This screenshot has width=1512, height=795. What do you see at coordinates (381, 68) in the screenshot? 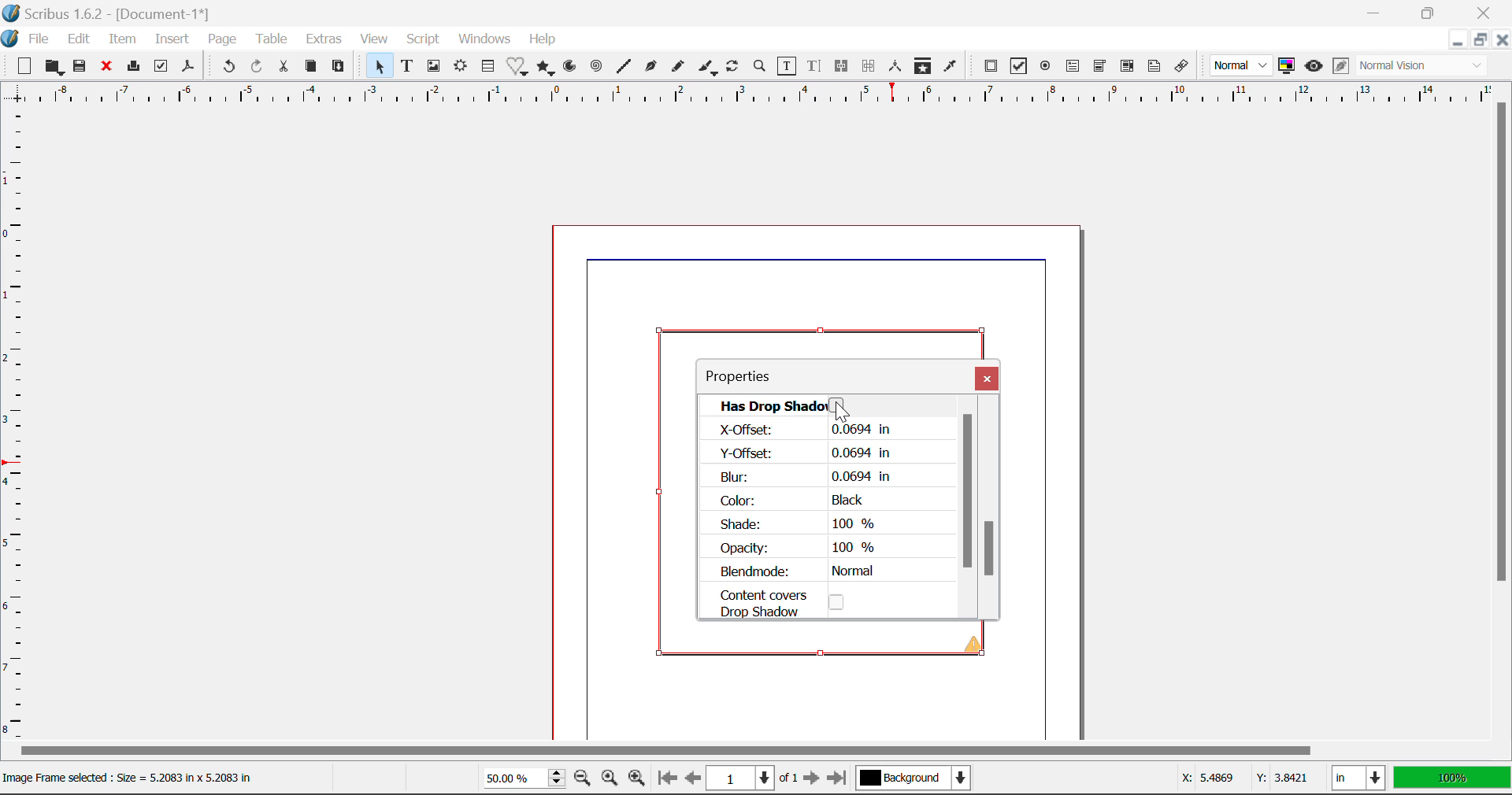
I see `Select` at bounding box center [381, 68].